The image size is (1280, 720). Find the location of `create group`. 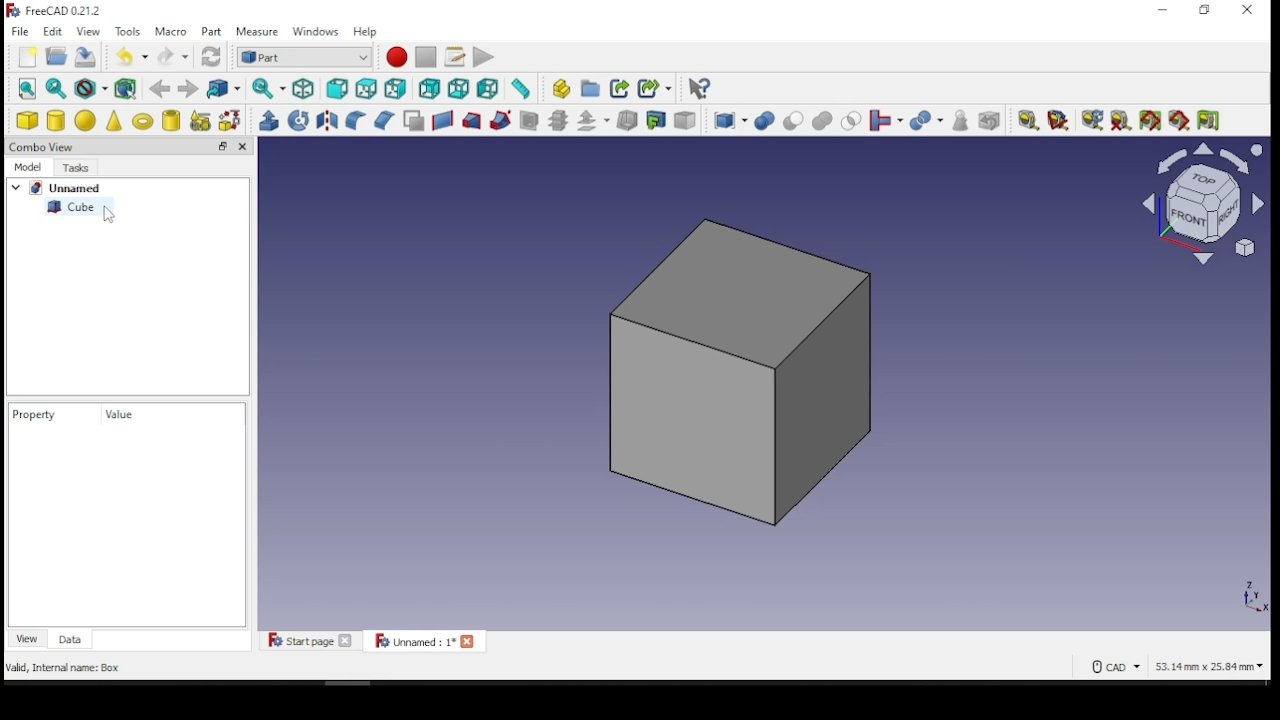

create group is located at coordinates (588, 88).